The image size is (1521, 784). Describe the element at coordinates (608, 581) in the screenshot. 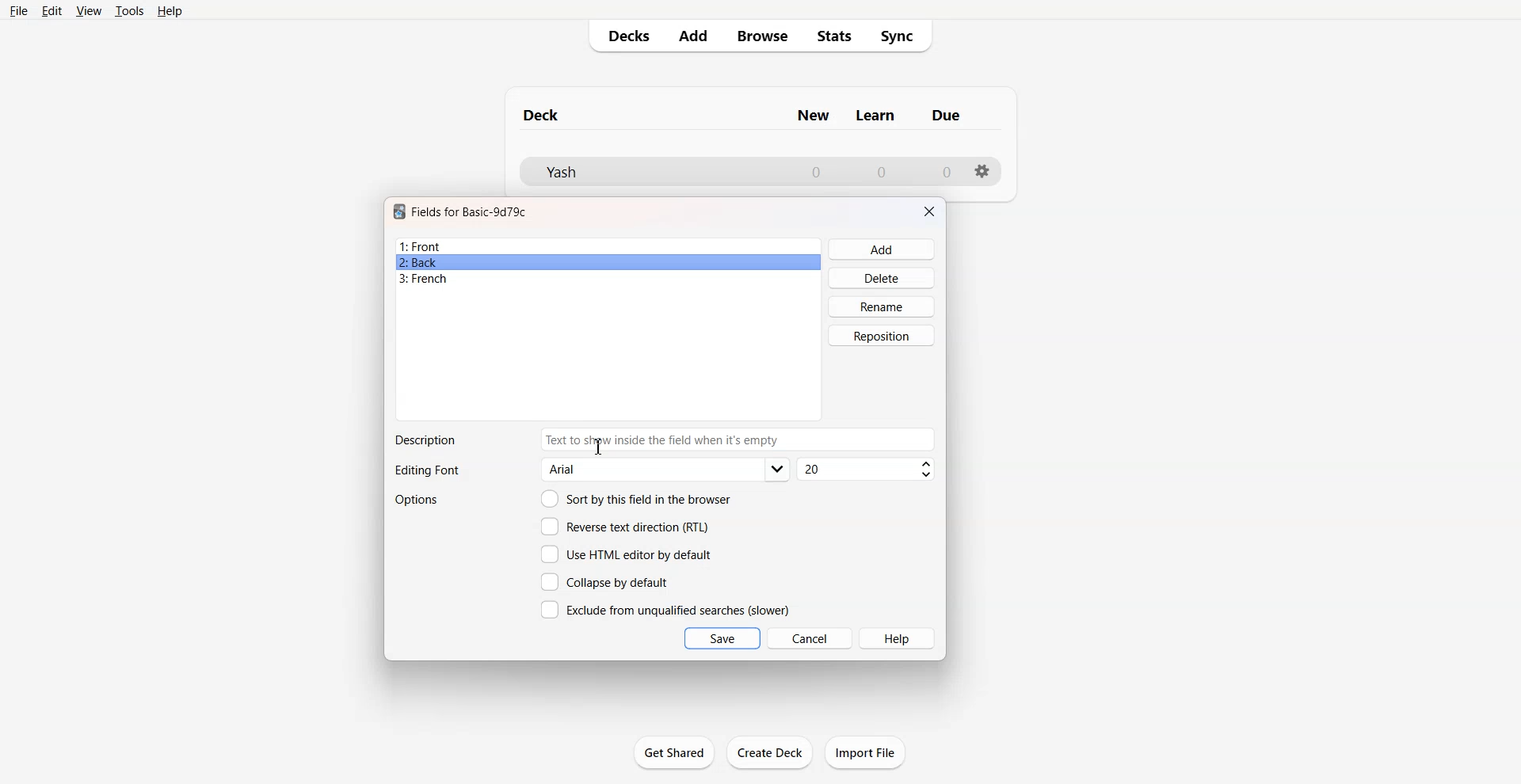

I see `Collapse by default` at that location.